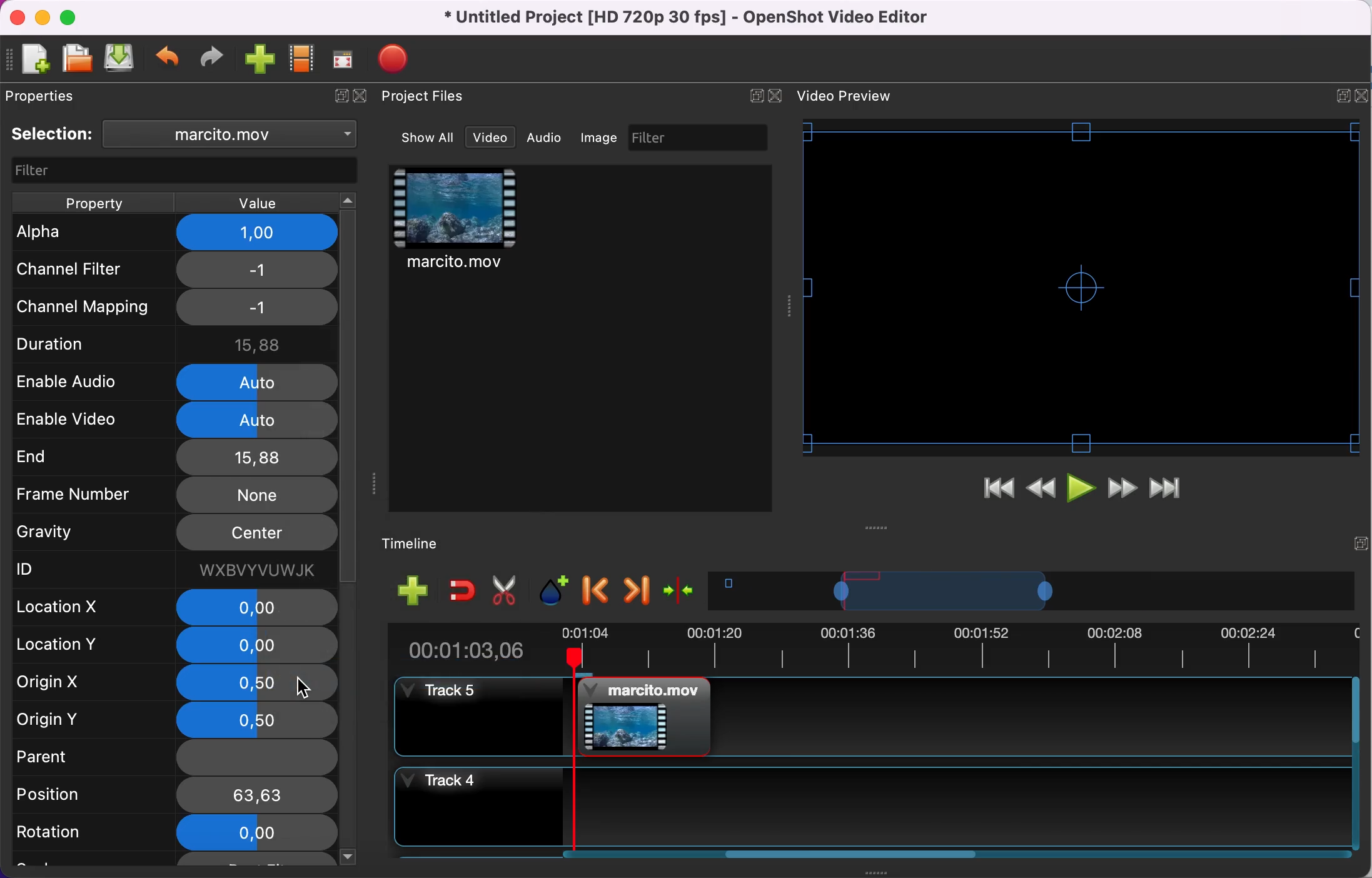  Describe the element at coordinates (413, 589) in the screenshot. I see `add track` at that location.